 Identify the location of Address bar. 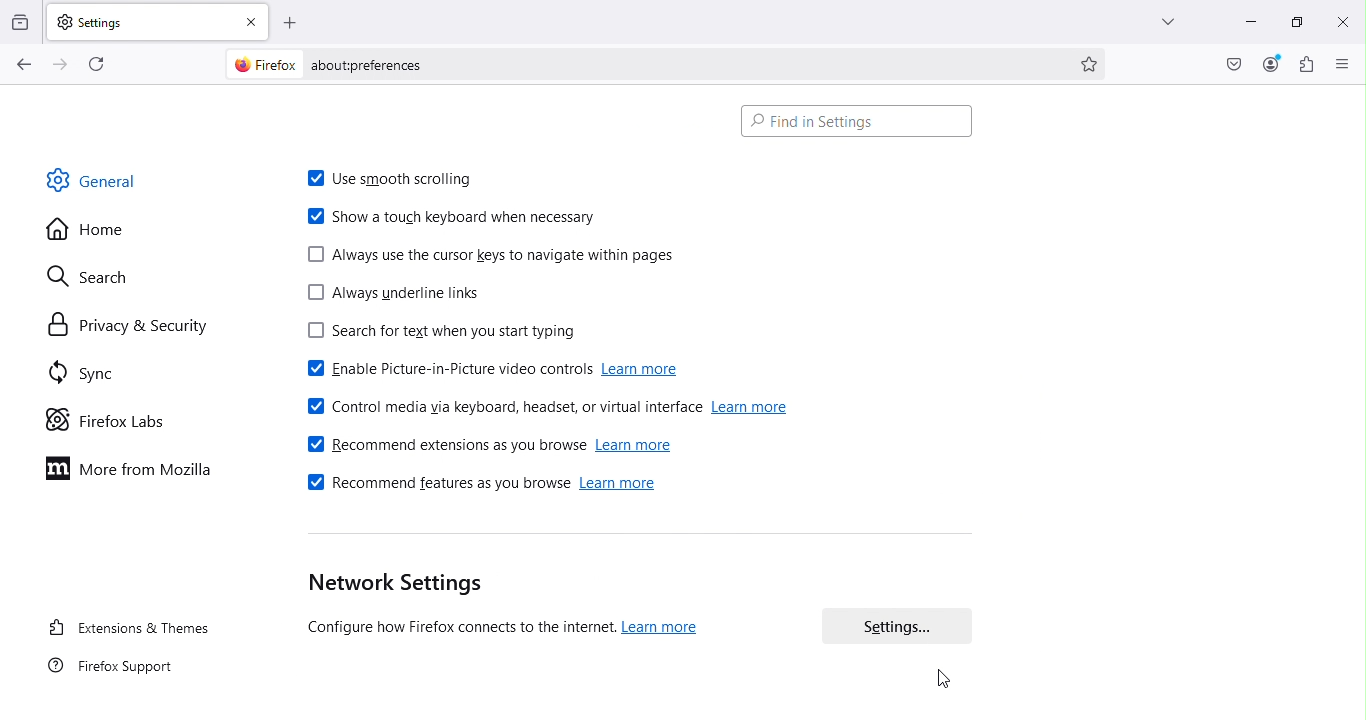
(637, 62).